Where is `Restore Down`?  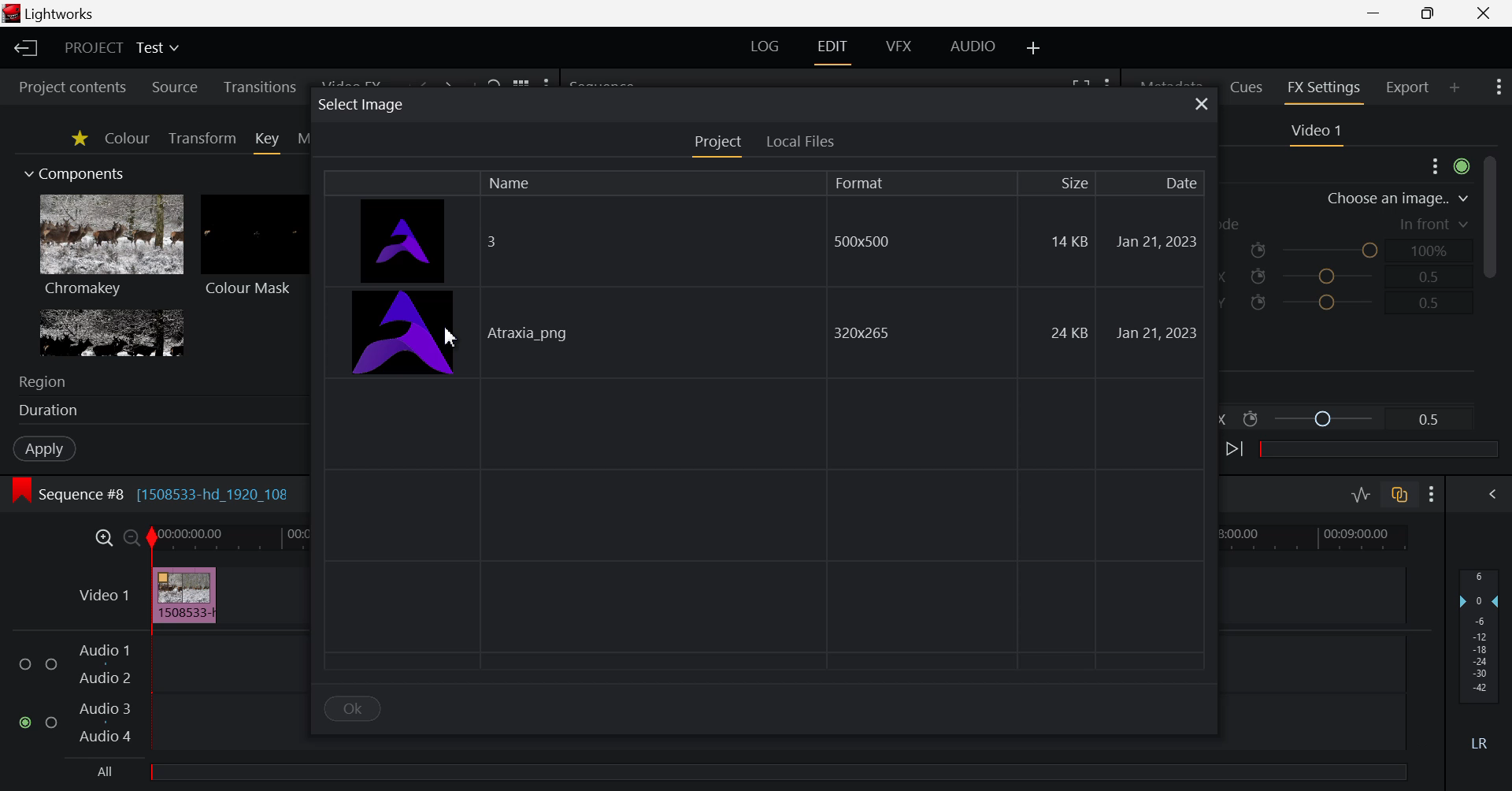
Restore Down is located at coordinates (1375, 13).